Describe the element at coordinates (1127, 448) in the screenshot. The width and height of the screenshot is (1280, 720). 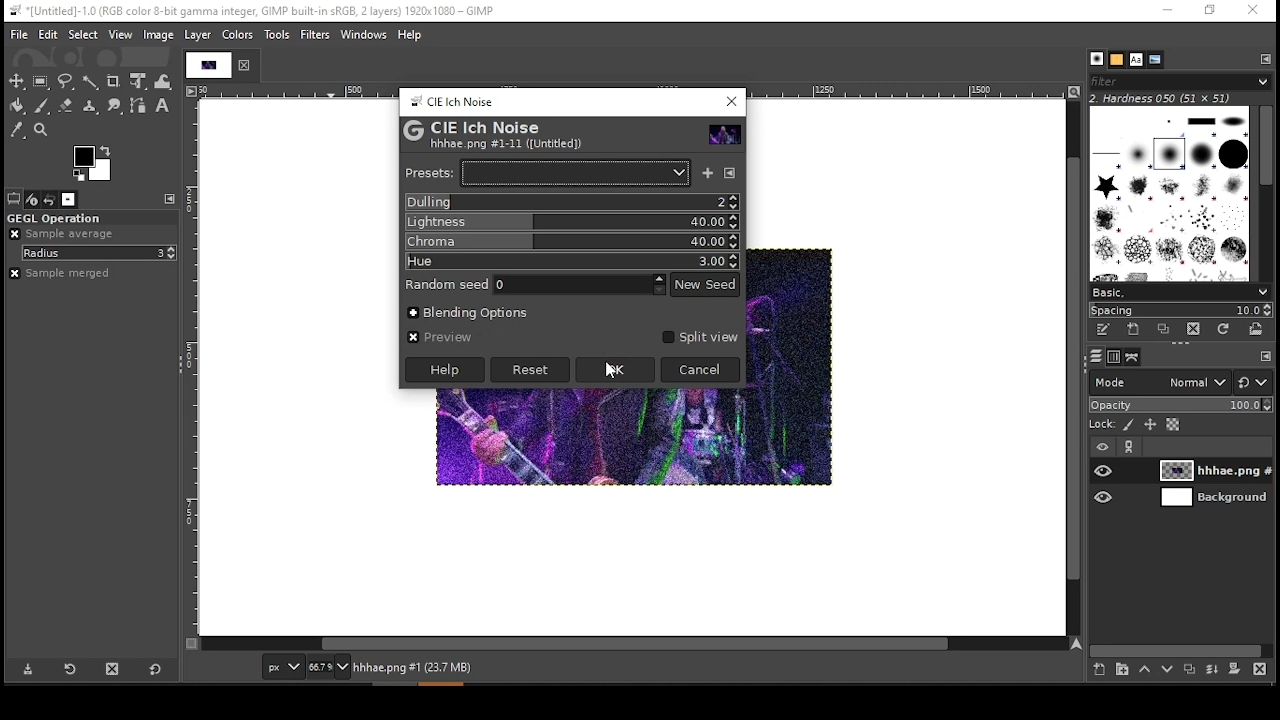
I see `link` at that location.